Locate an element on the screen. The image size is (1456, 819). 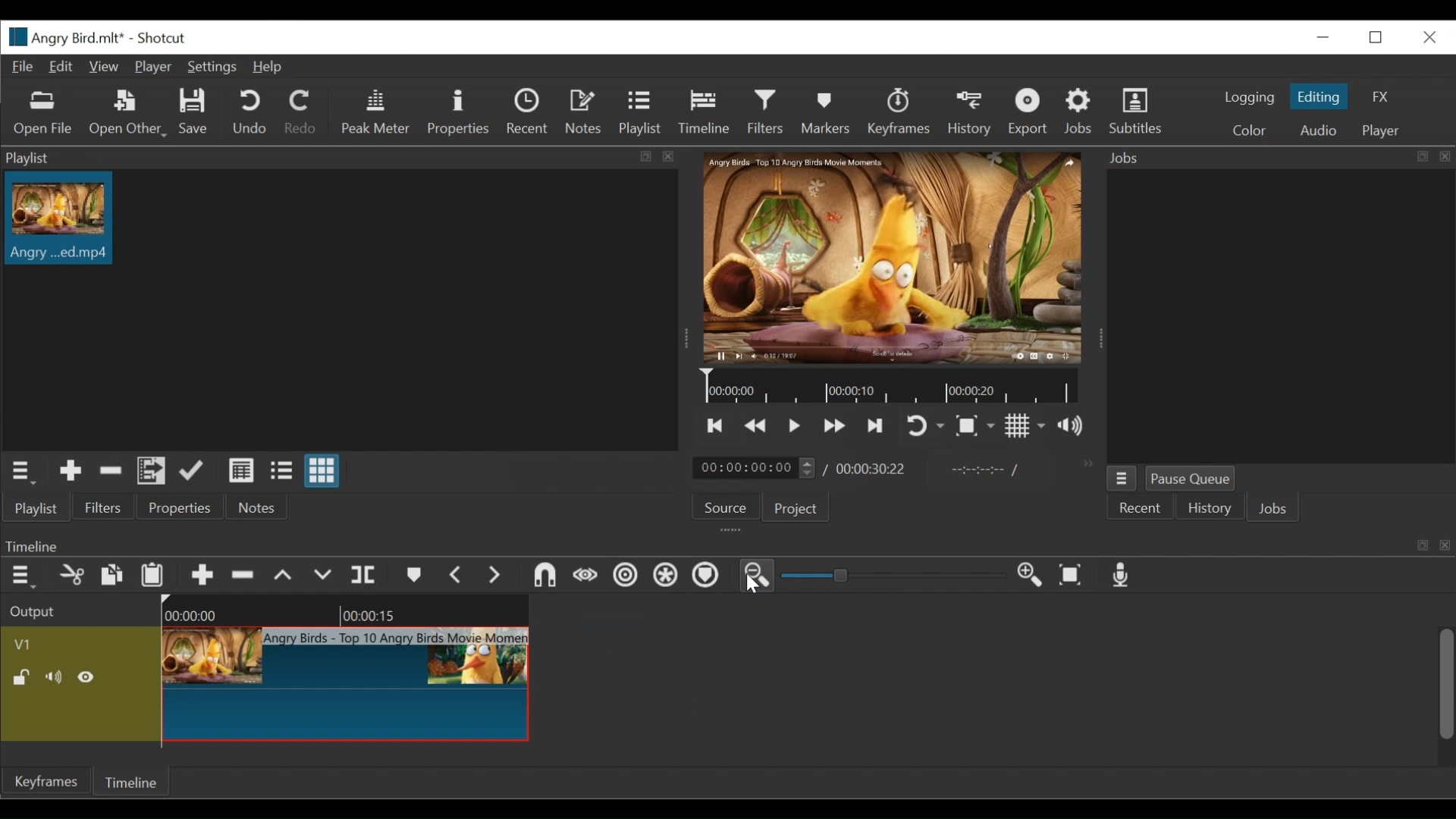
vertical scroll bar is located at coordinates (1437, 700).